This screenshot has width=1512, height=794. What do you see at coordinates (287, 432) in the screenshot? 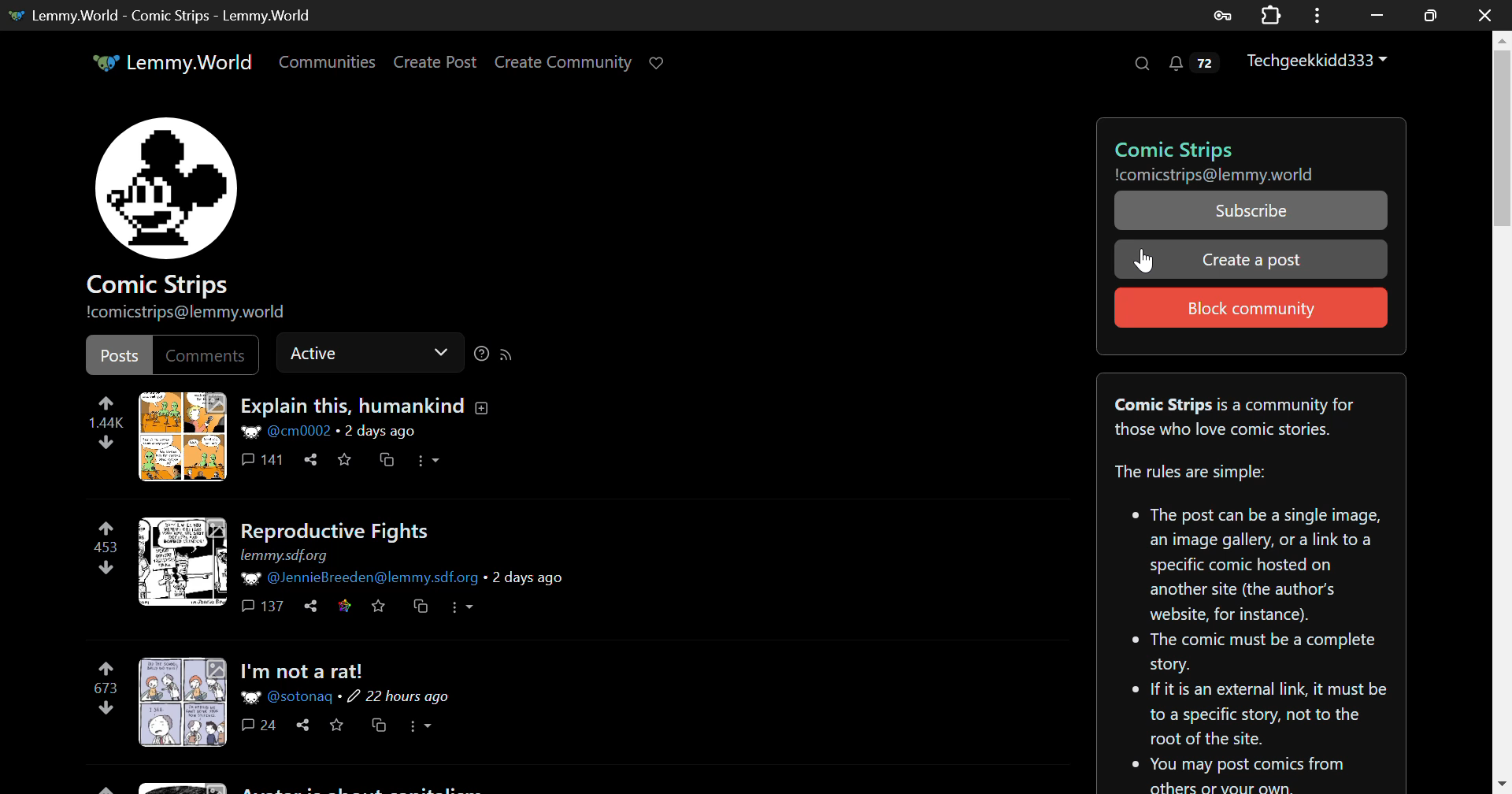
I see `@cm0002` at bounding box center [287, 432].